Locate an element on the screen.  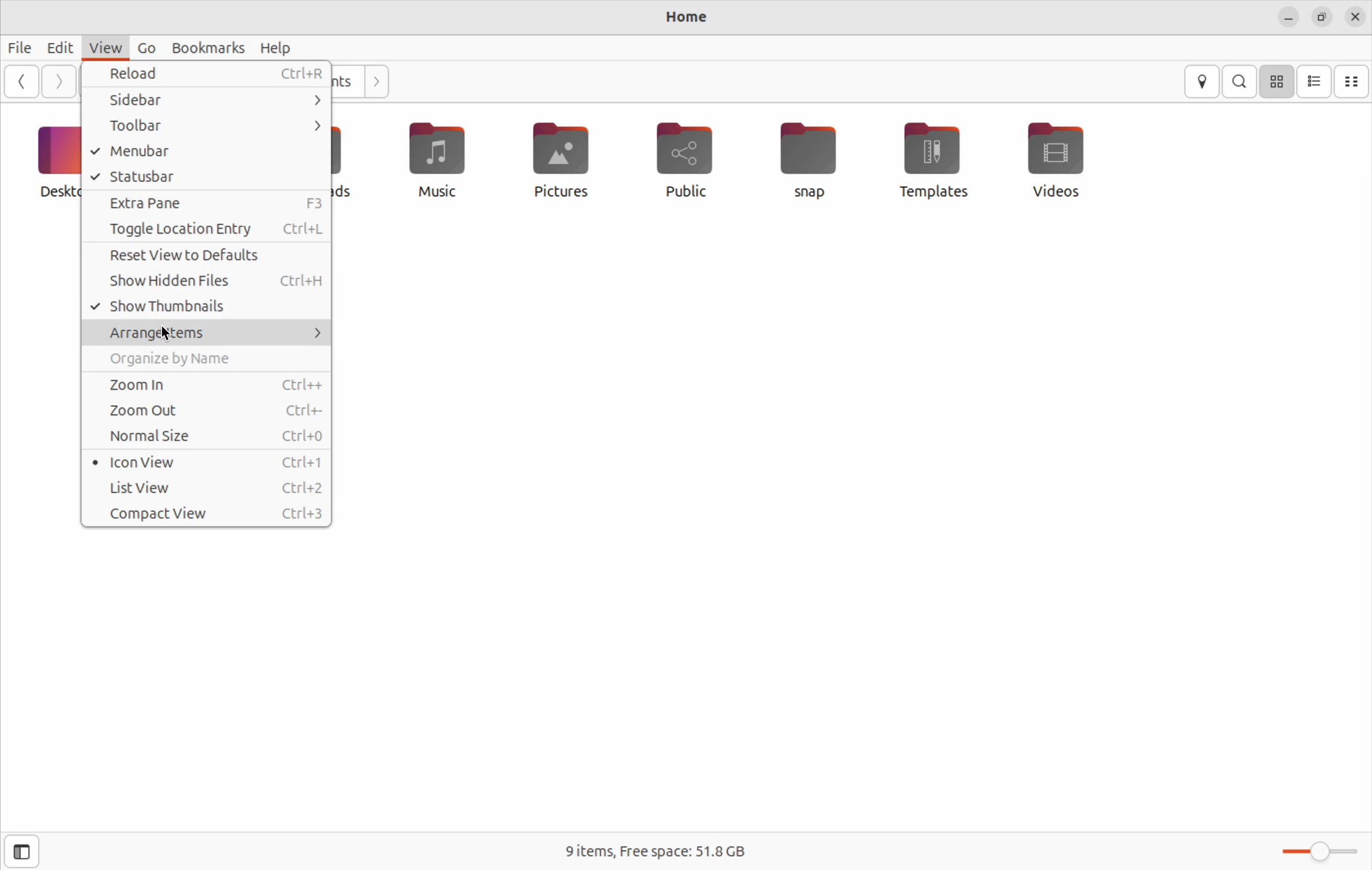
search bar is located at coordinates (1240, 80).